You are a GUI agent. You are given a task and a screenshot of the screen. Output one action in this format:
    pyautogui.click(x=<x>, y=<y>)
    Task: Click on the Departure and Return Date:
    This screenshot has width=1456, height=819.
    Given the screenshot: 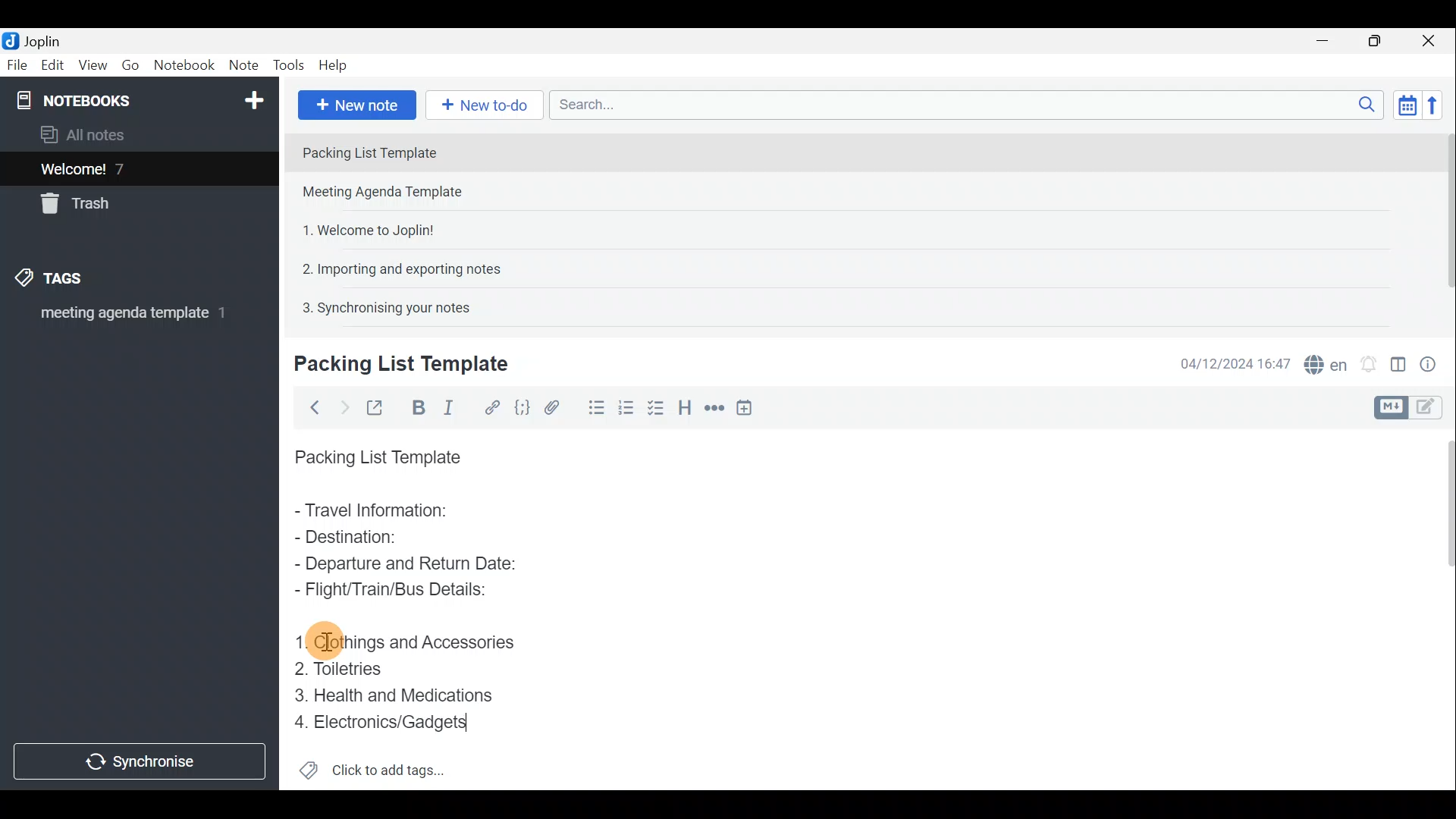 What is the action you would take?
    pyautogui.click(x=406, y=563)
    